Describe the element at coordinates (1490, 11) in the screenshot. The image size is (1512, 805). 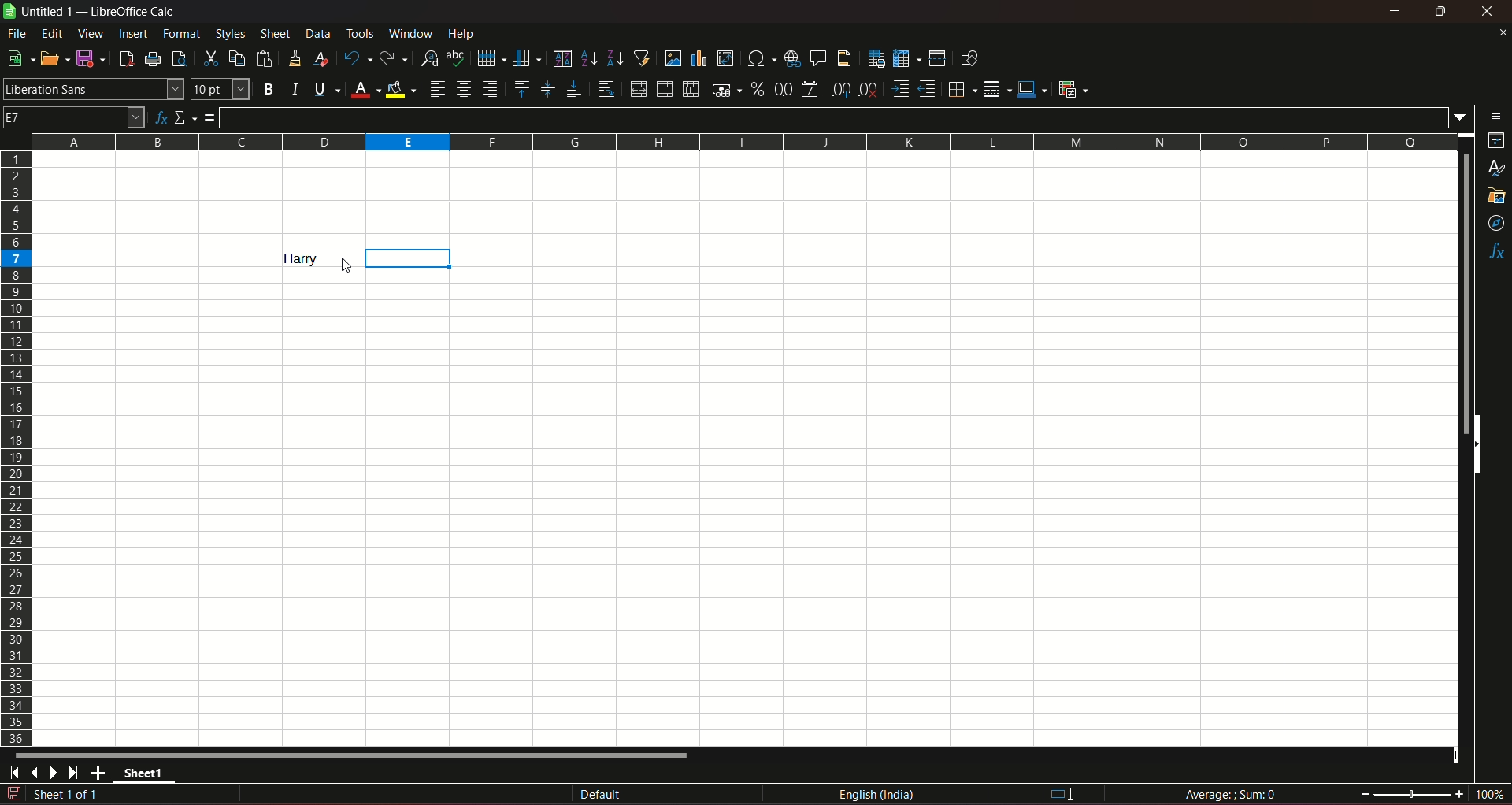
I see `close` at that location.